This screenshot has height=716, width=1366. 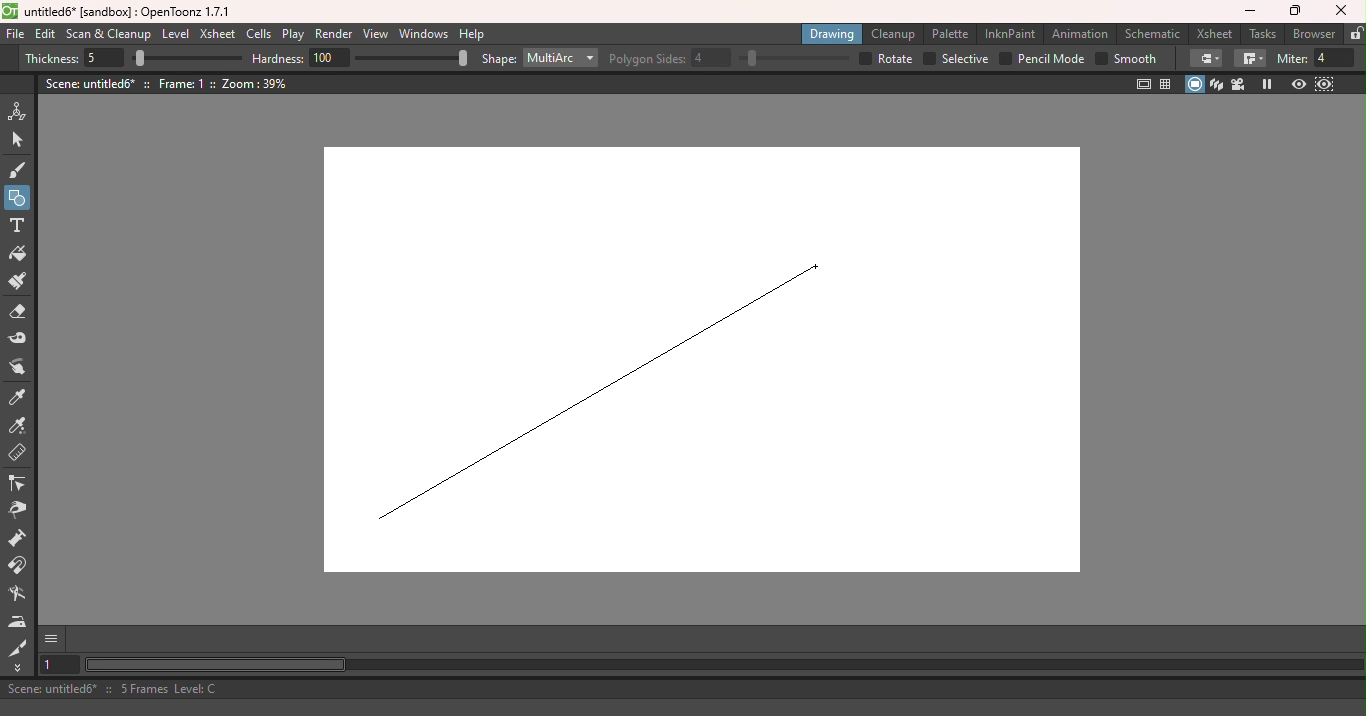 What do you see at coordinates (19, 170) in the screenshot?
I see `Brush tool` at bounding box center [19, 170].